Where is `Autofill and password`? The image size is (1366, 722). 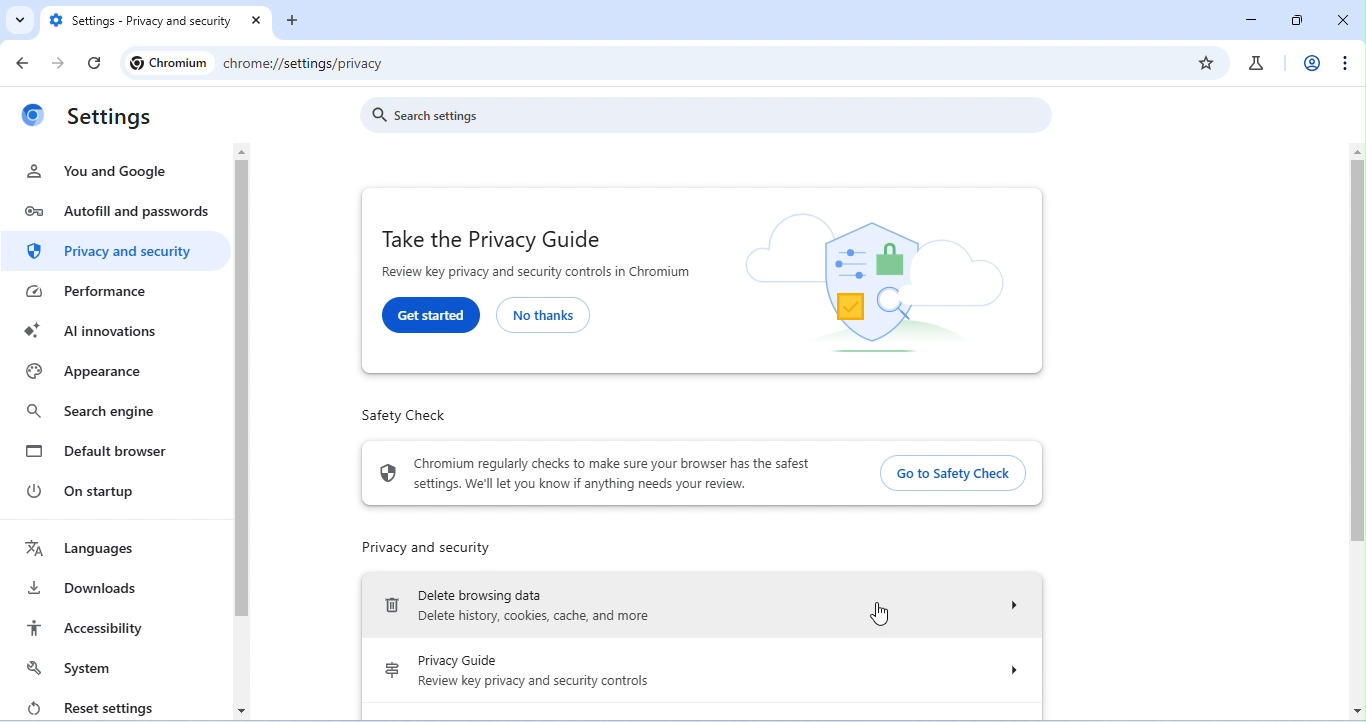 Autofill and password is located at coordinates (117, 214).